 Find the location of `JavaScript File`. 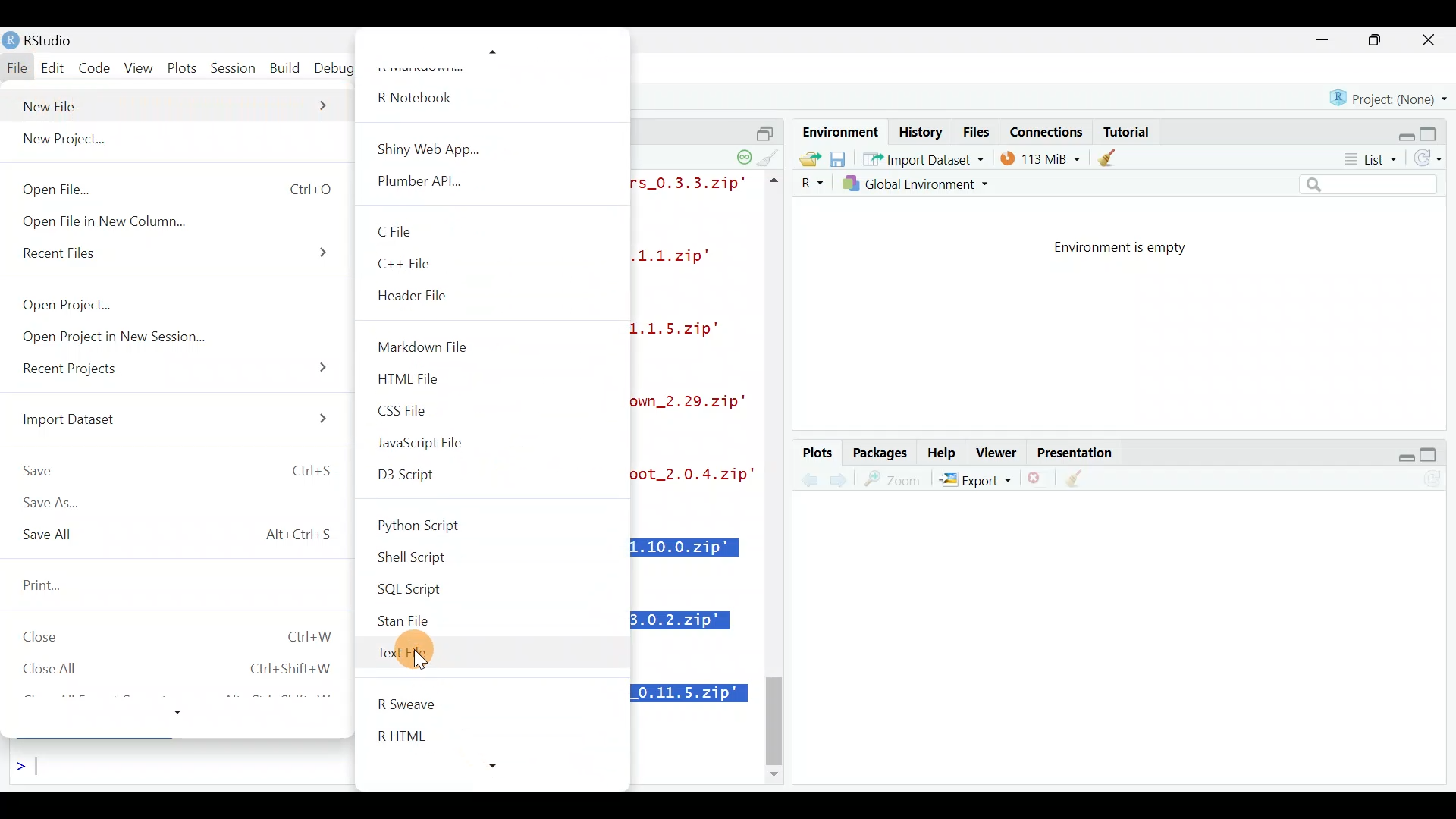

JavaScript File is located at coordinates (433, 443).